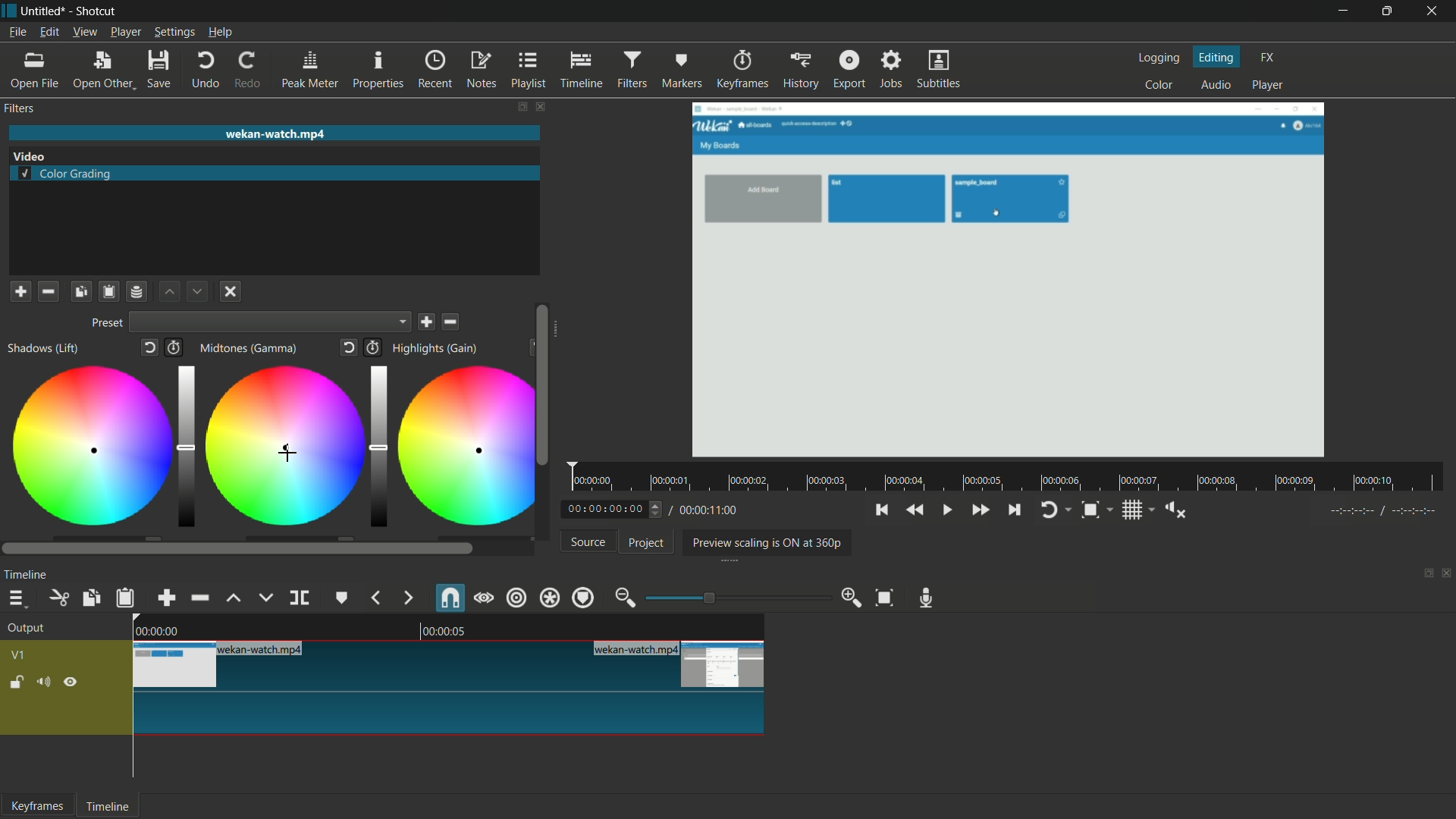  Describe the element at coordinates (437, 349) in the screenshot. I see `highlights(gain)` at that location.